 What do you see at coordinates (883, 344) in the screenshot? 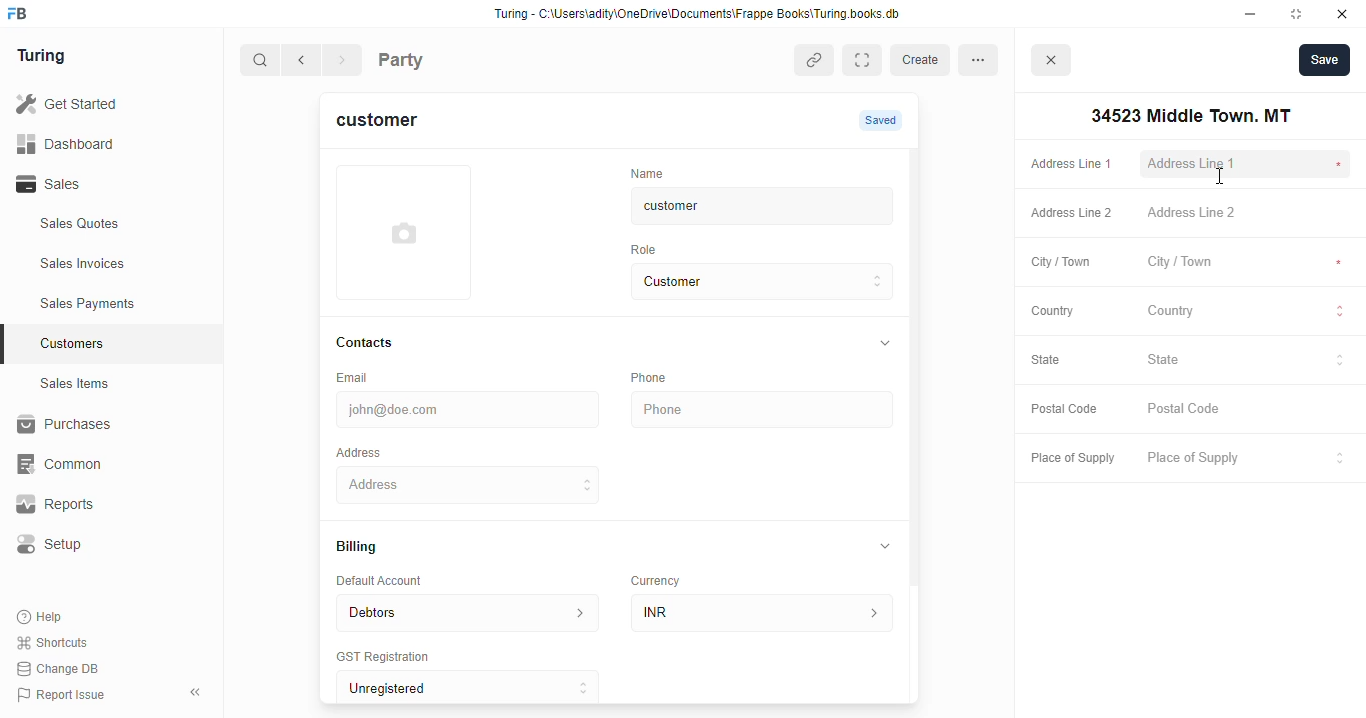
I see `collapse` at bounding box center [883, 344].